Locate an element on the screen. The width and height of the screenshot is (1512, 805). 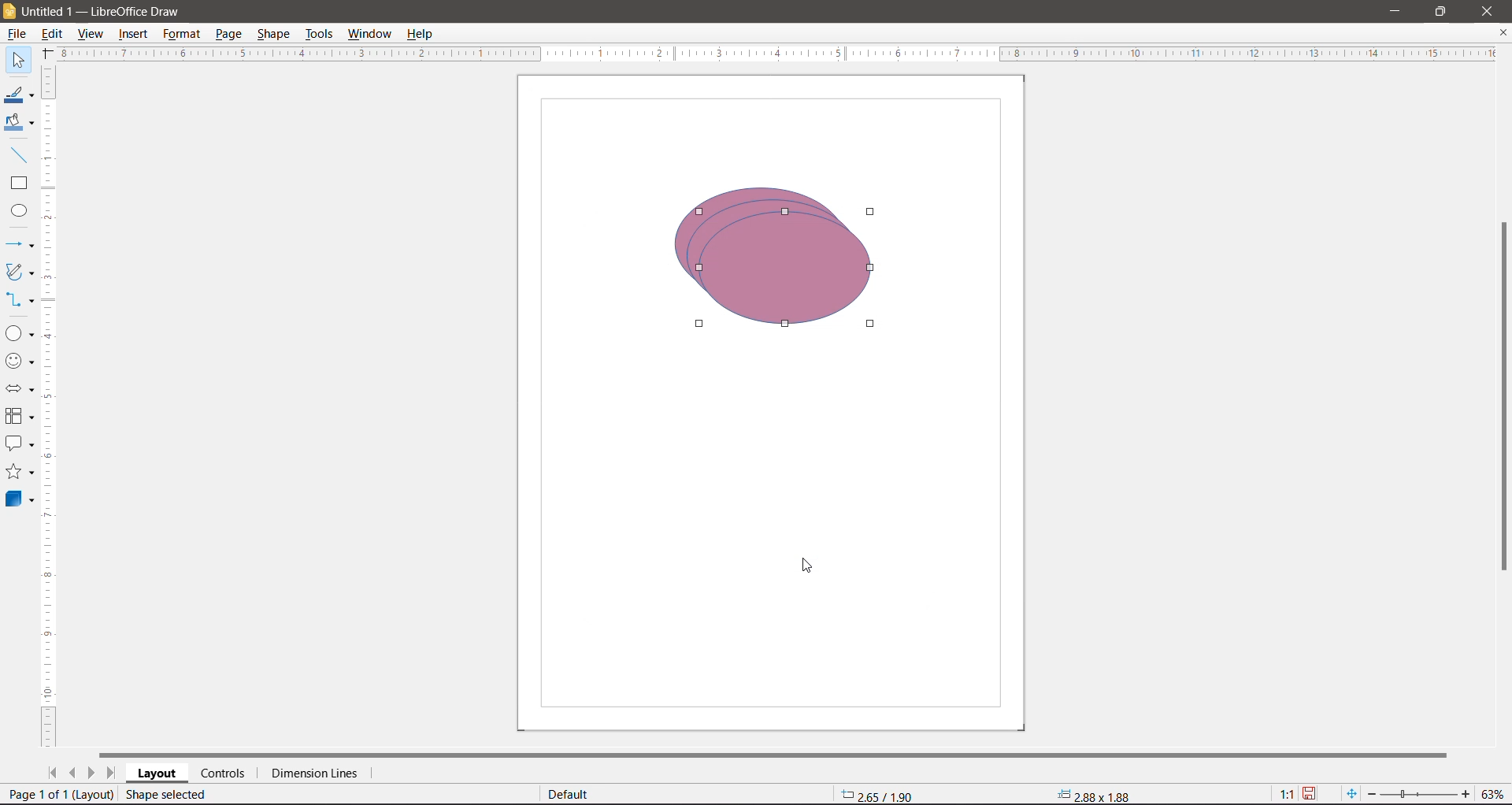
Ellipse is located at coordinates (18, 210).